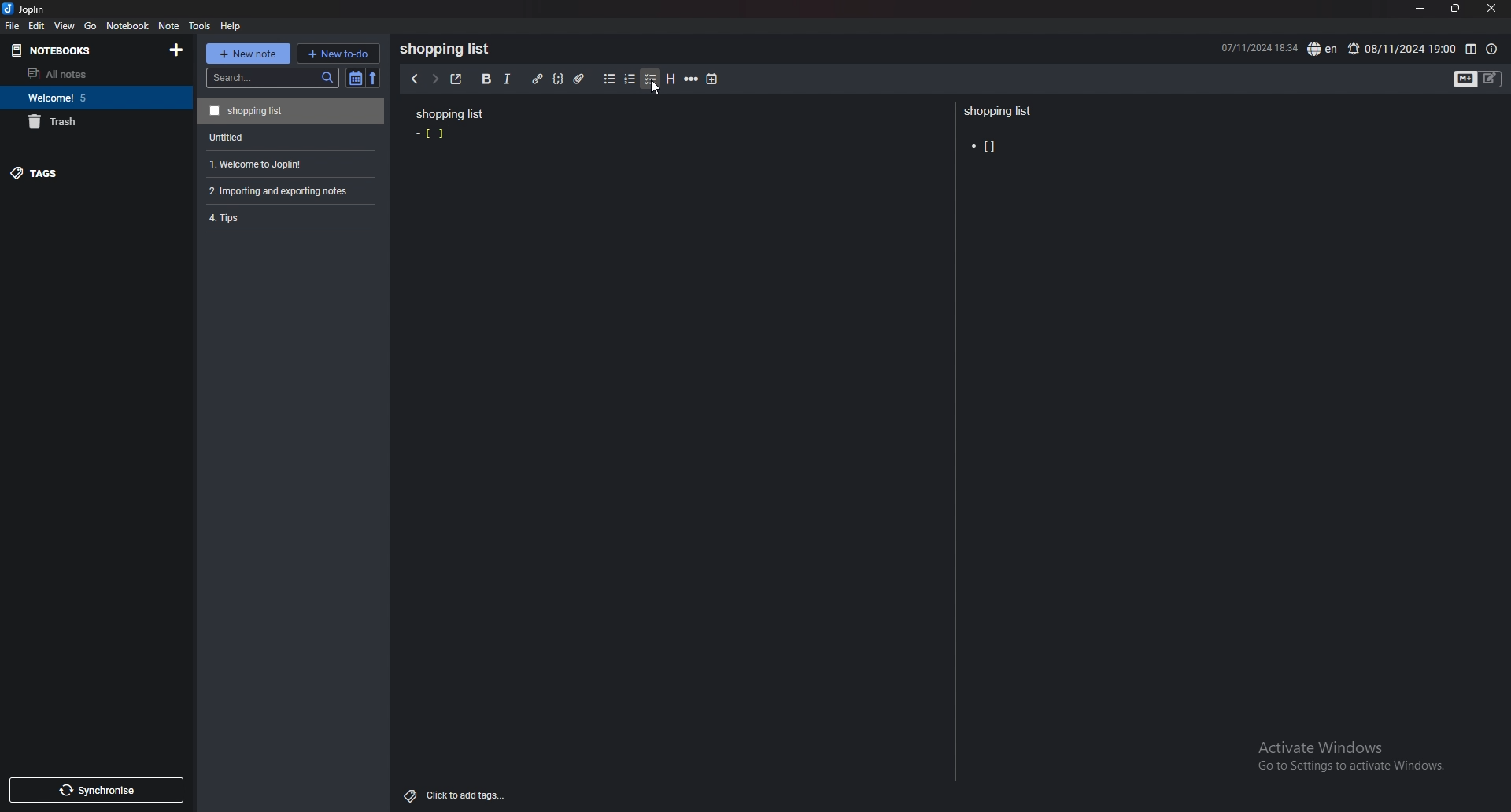 The image size is (1511, 812). Describe the element at coordinates (691, 79) in the screenshot. I see `horizontal rule` at that location.